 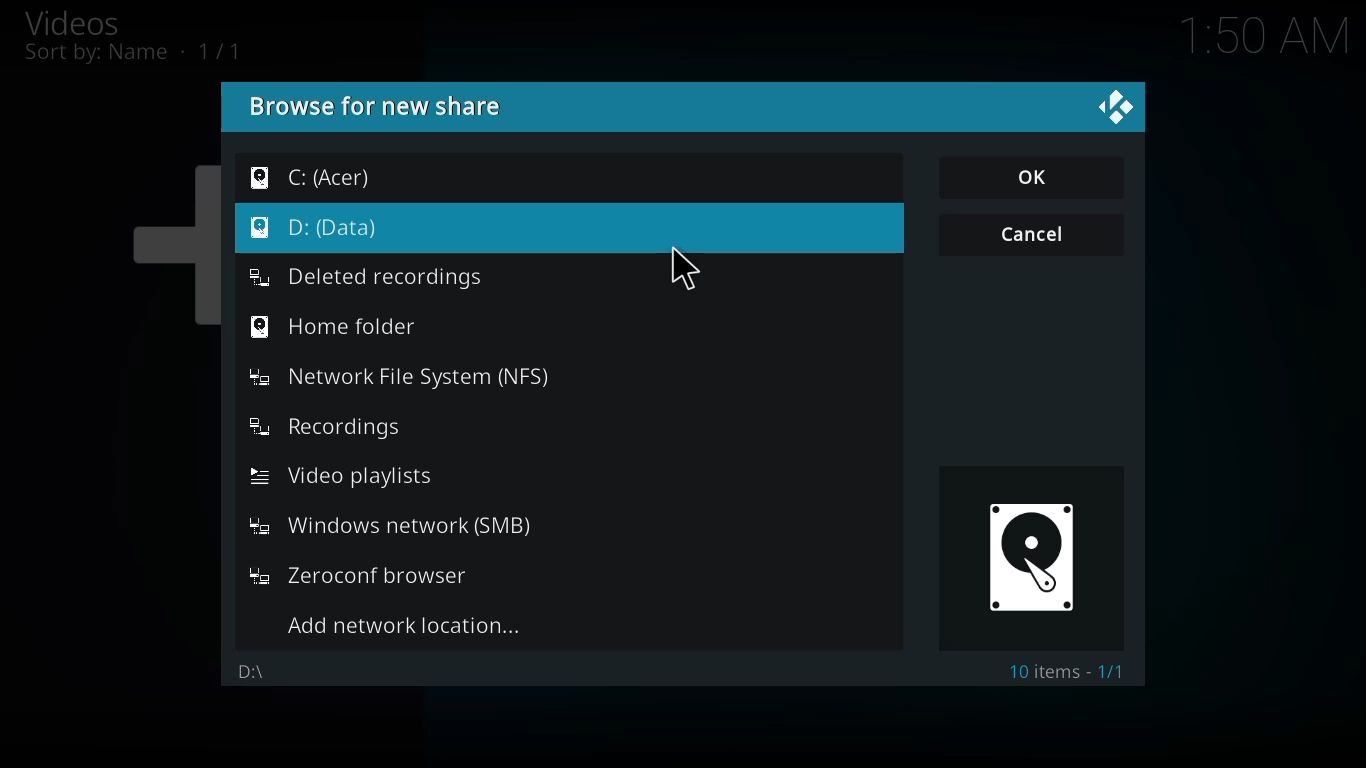 What do you see at coordinates (316, 178) in the screenshot?
I see `c` at bounding box center [316, 178].